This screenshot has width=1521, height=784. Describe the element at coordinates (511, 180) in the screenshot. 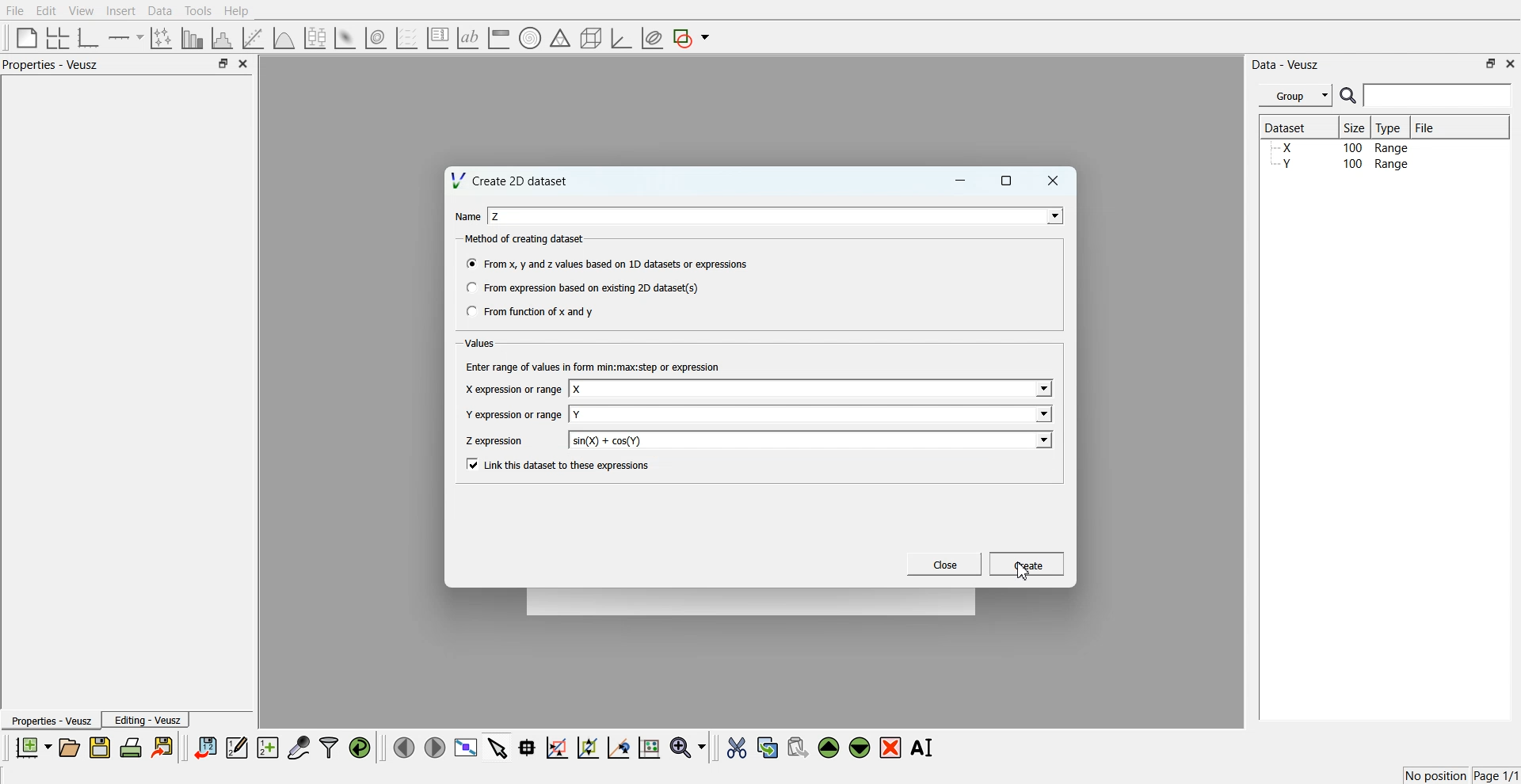

I see `V/ Create 2D dataset` at that location.